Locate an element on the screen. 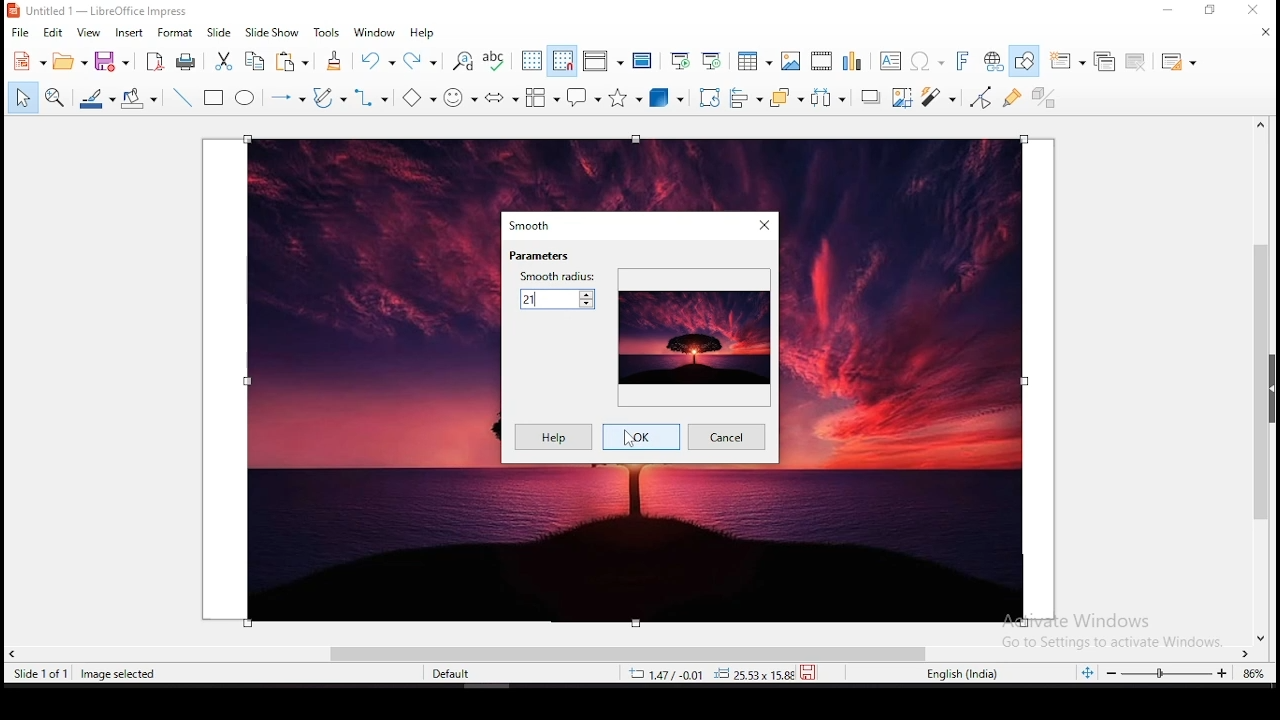 This screenshot has height=720, width=1280. slide 1 of 1 is located at coordinates (44, 674).